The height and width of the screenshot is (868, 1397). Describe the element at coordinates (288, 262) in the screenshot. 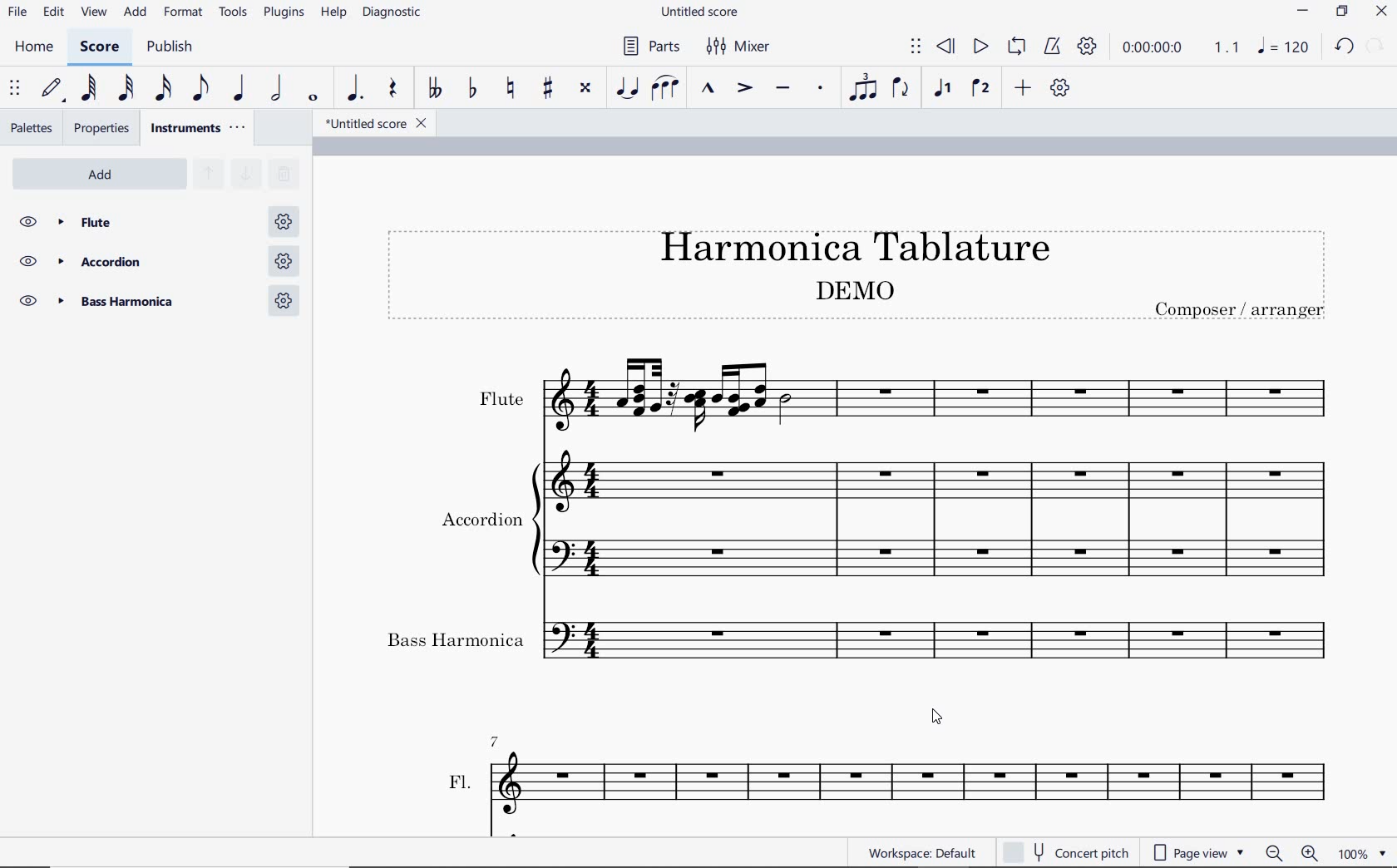

I see `Accordion settings` at that location.